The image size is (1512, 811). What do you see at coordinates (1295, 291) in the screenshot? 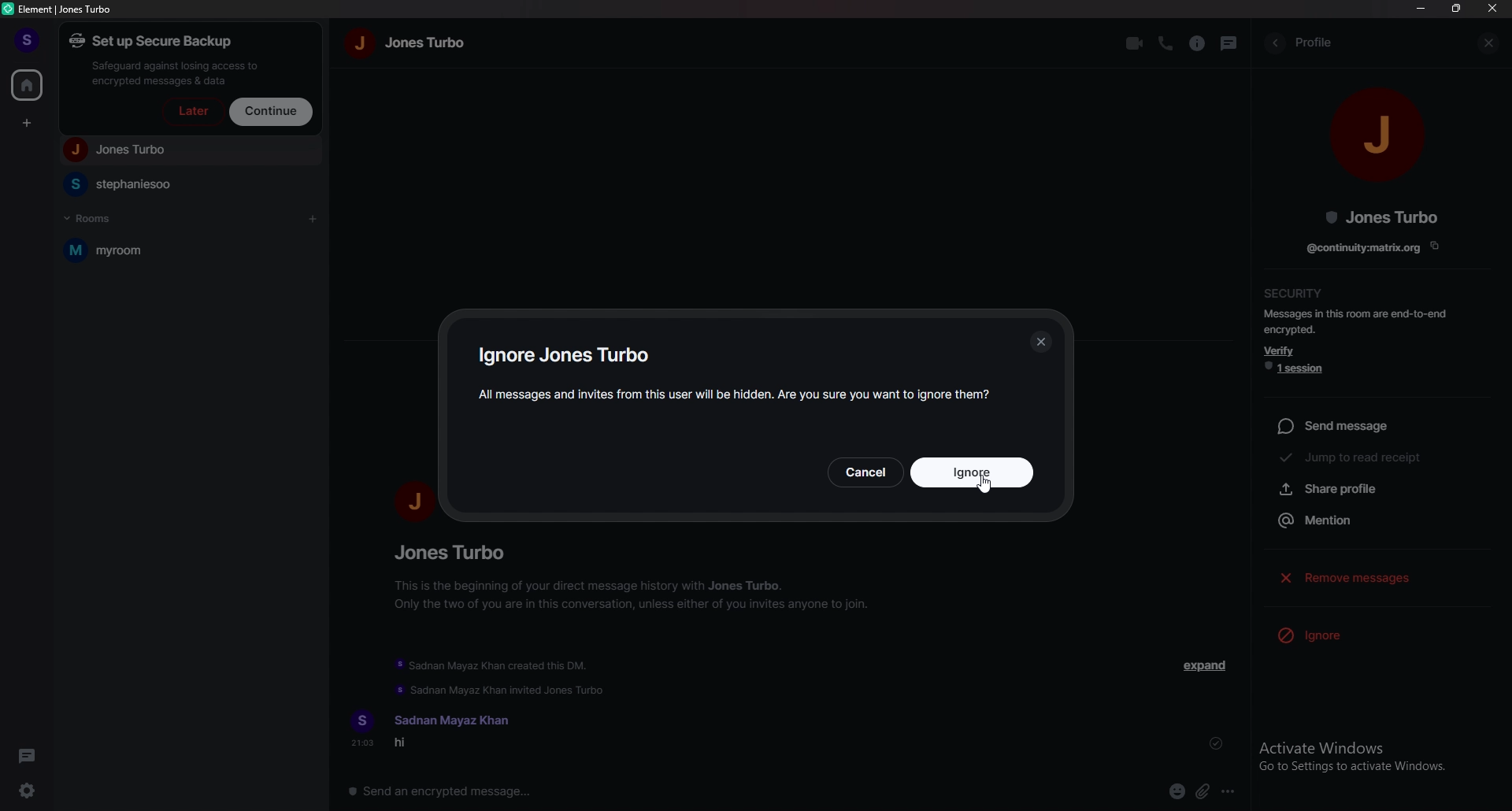
I see `security` at bounding box center [1295, 291].